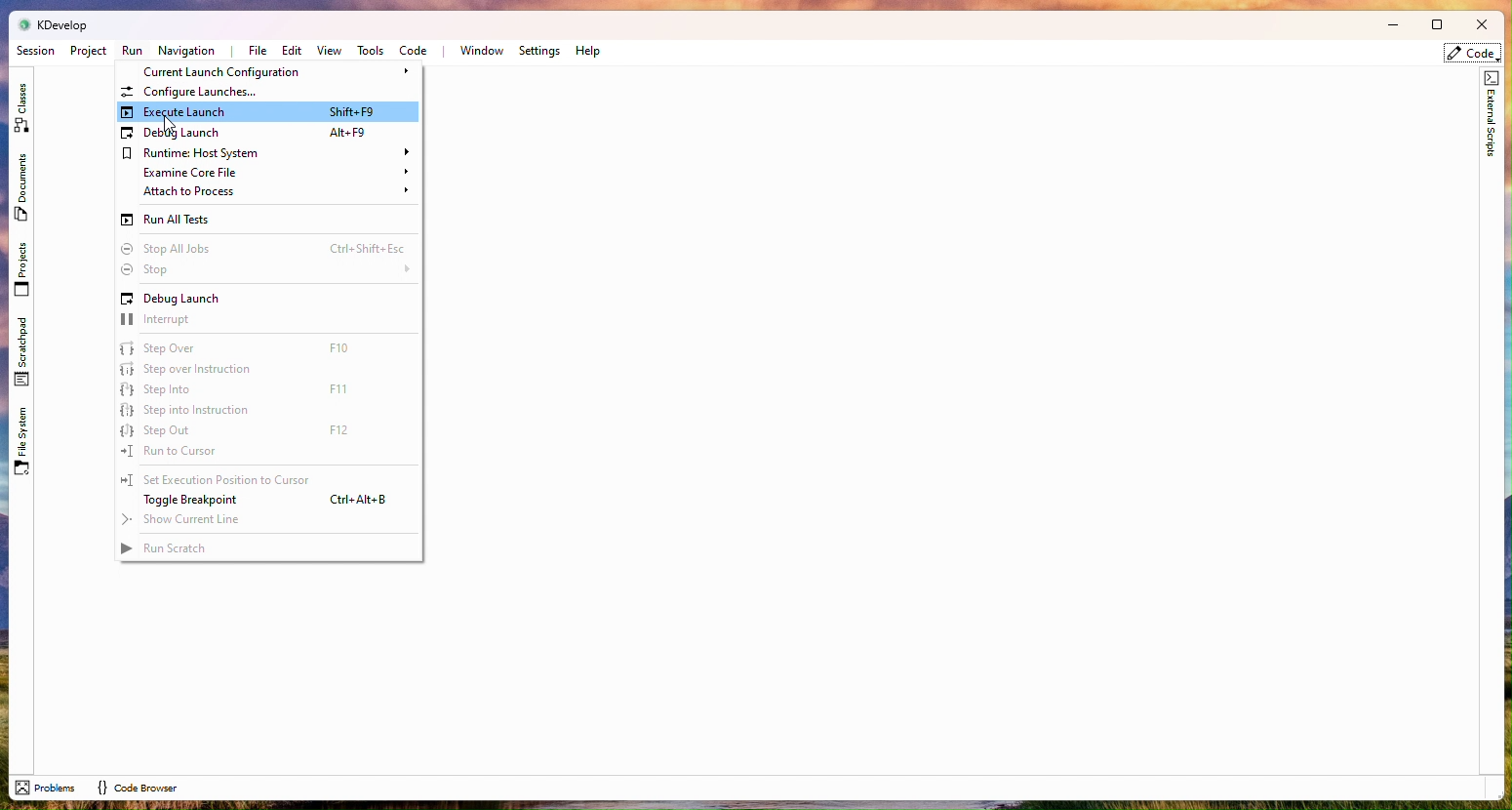 This screenshot has width=1512, height=810. I want to click on Run Scratch, so click(186, 547).